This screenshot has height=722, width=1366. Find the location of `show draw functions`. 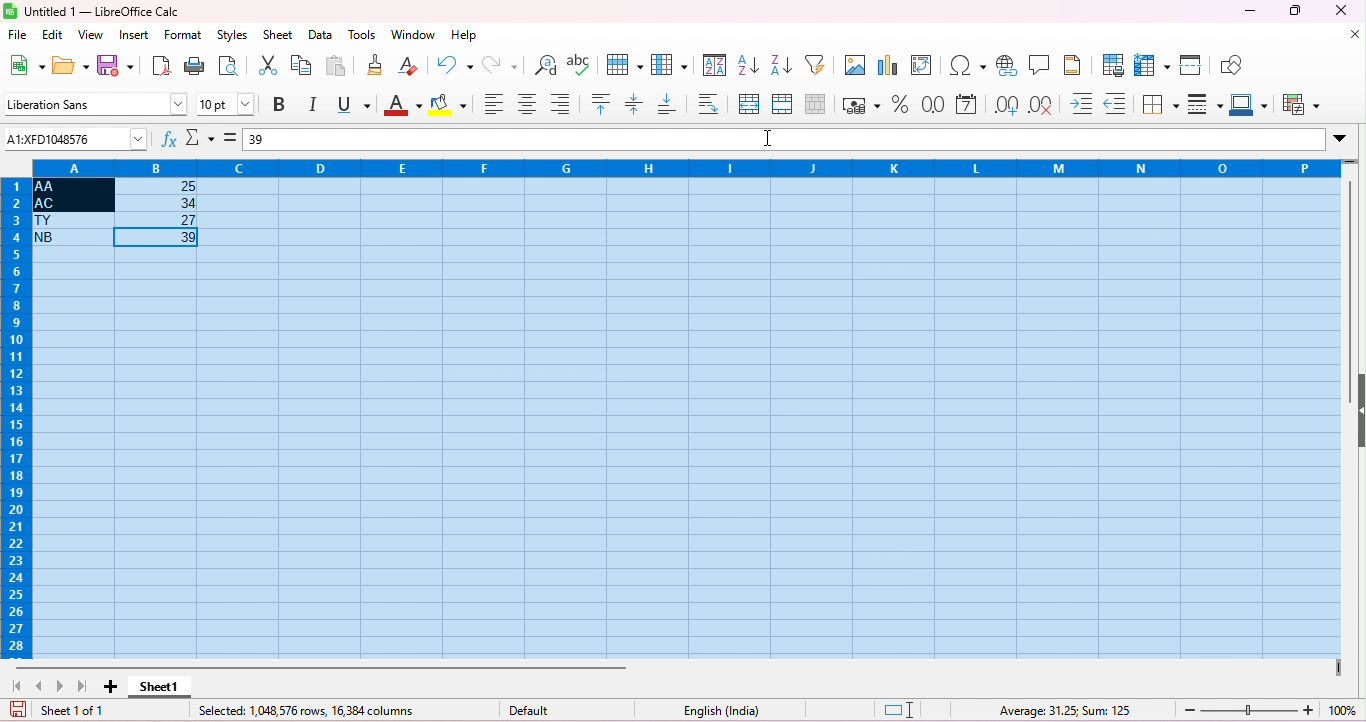

show draw functions is located at coordinates (1232, 63).